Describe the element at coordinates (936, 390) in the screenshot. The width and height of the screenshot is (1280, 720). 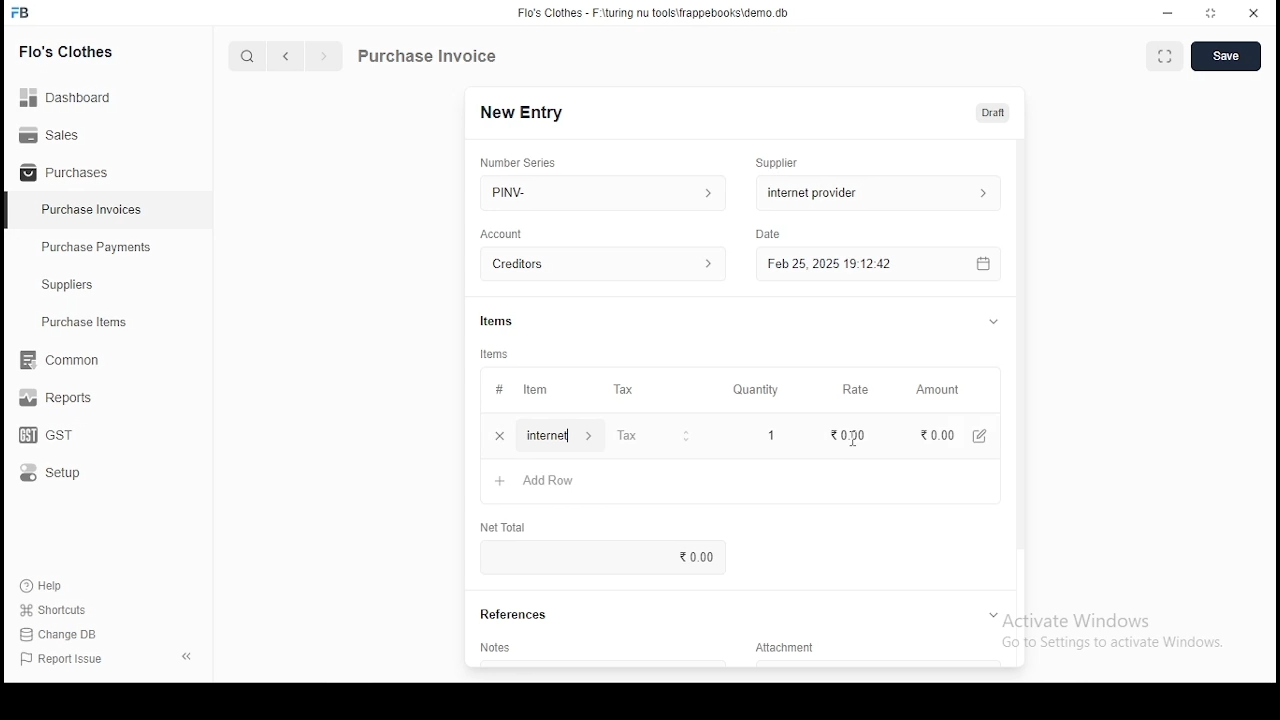
I see `amount` at that location.